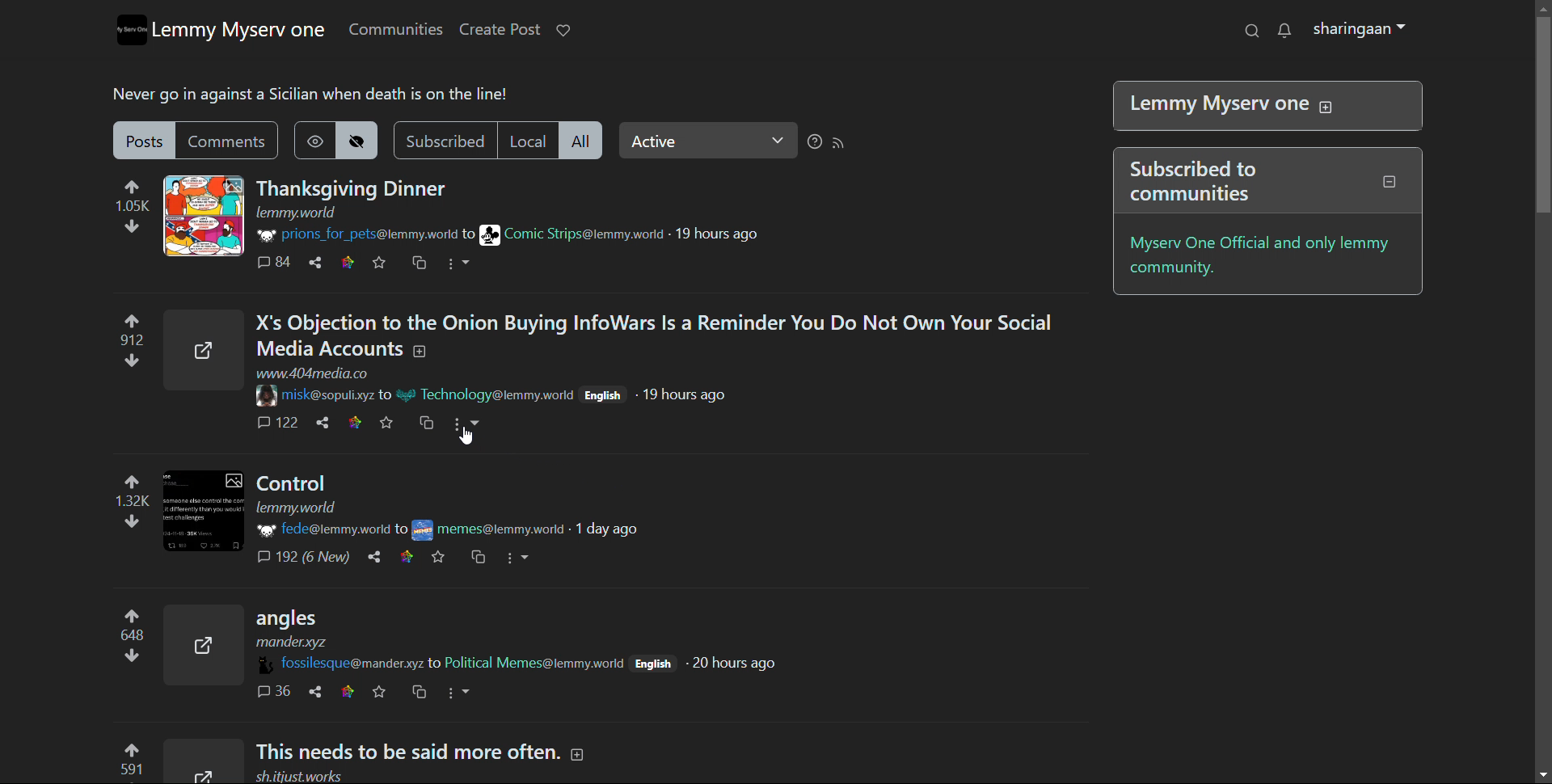 The height and width of the screenshot is (784, 1552). I want to click on Pointer, so click(470, 441).